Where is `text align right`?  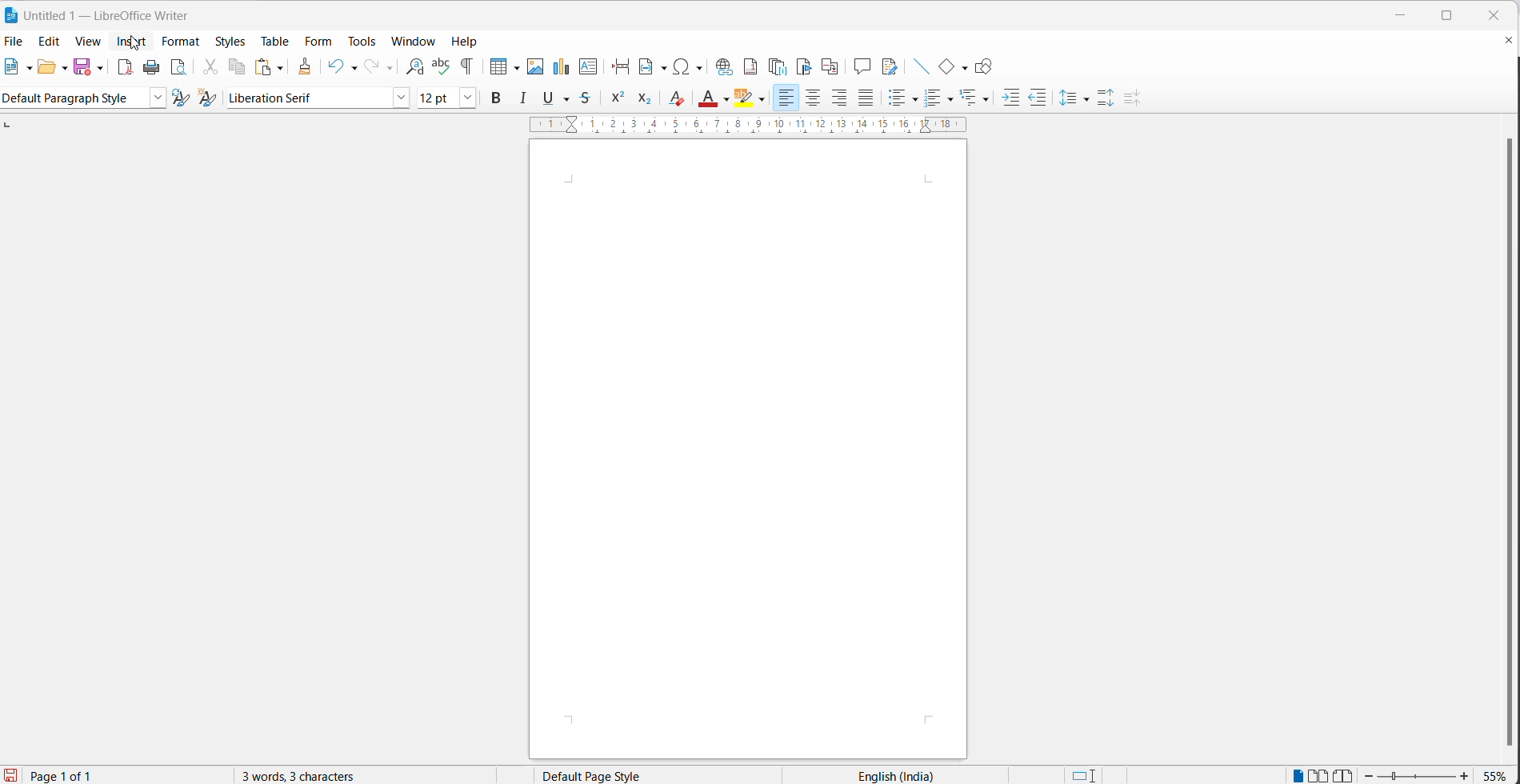
text align right is located at coordinates (840, 98).